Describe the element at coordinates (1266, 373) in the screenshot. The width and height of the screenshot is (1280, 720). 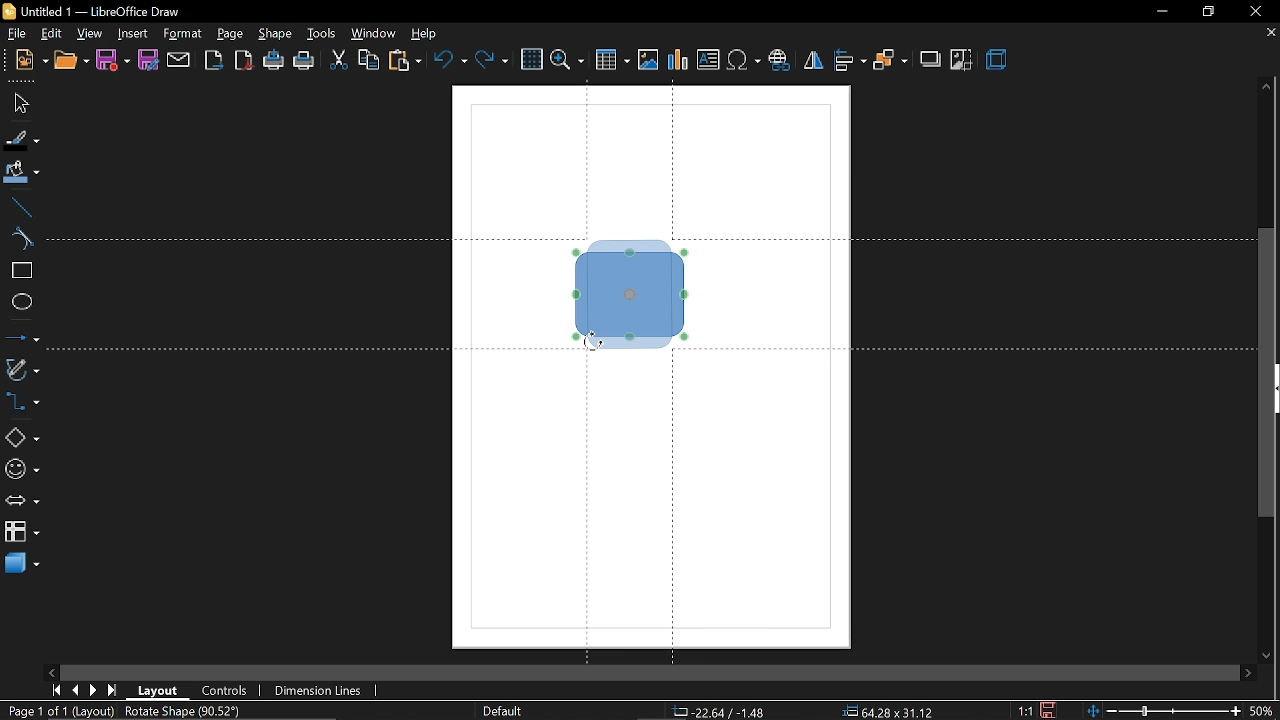
I see `vertical scrollbar` at that location.